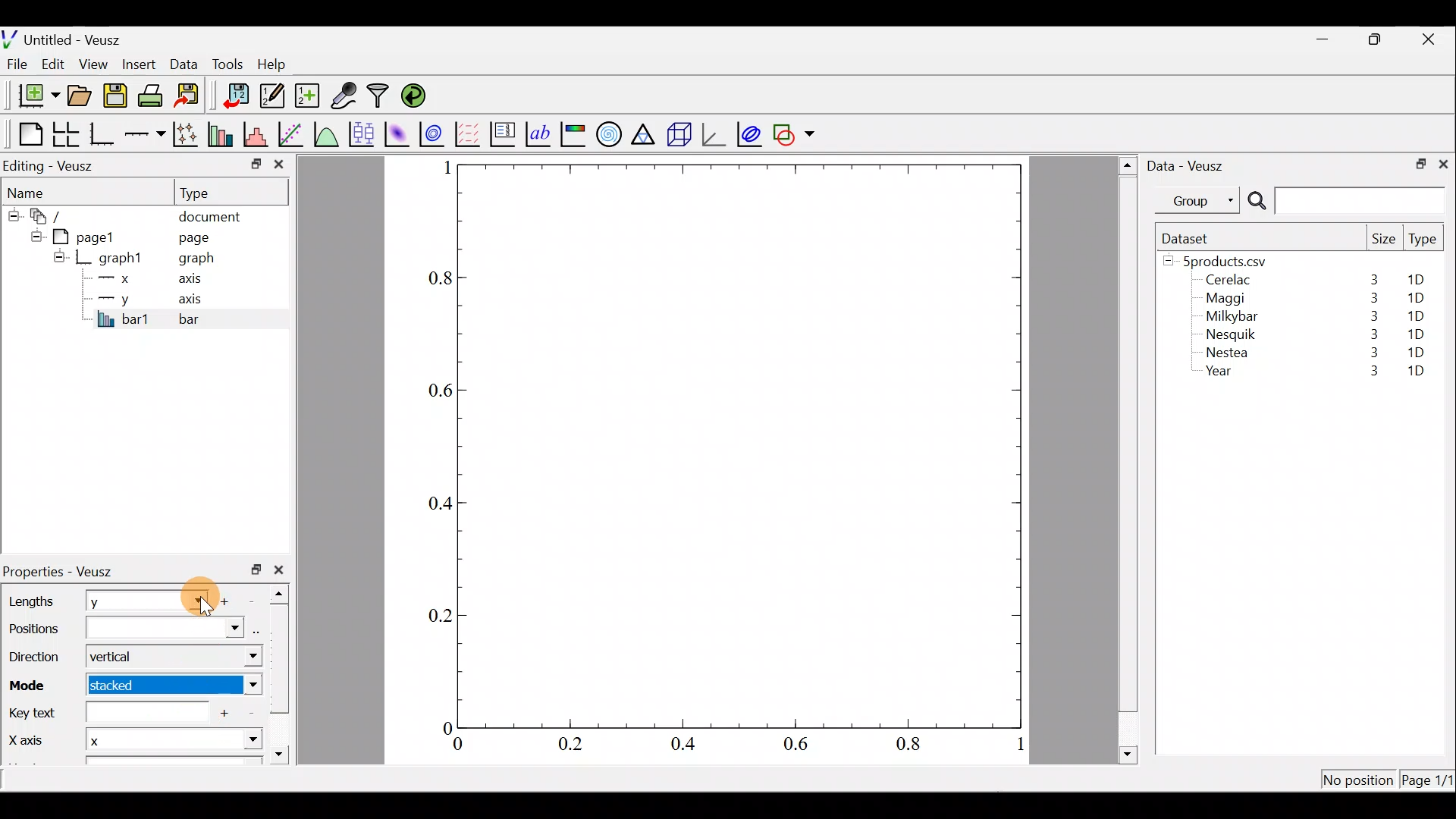  What do you see at coordinates (1371, 334) in the screenshot?
I see `3` at bounding box center [1371, 334].